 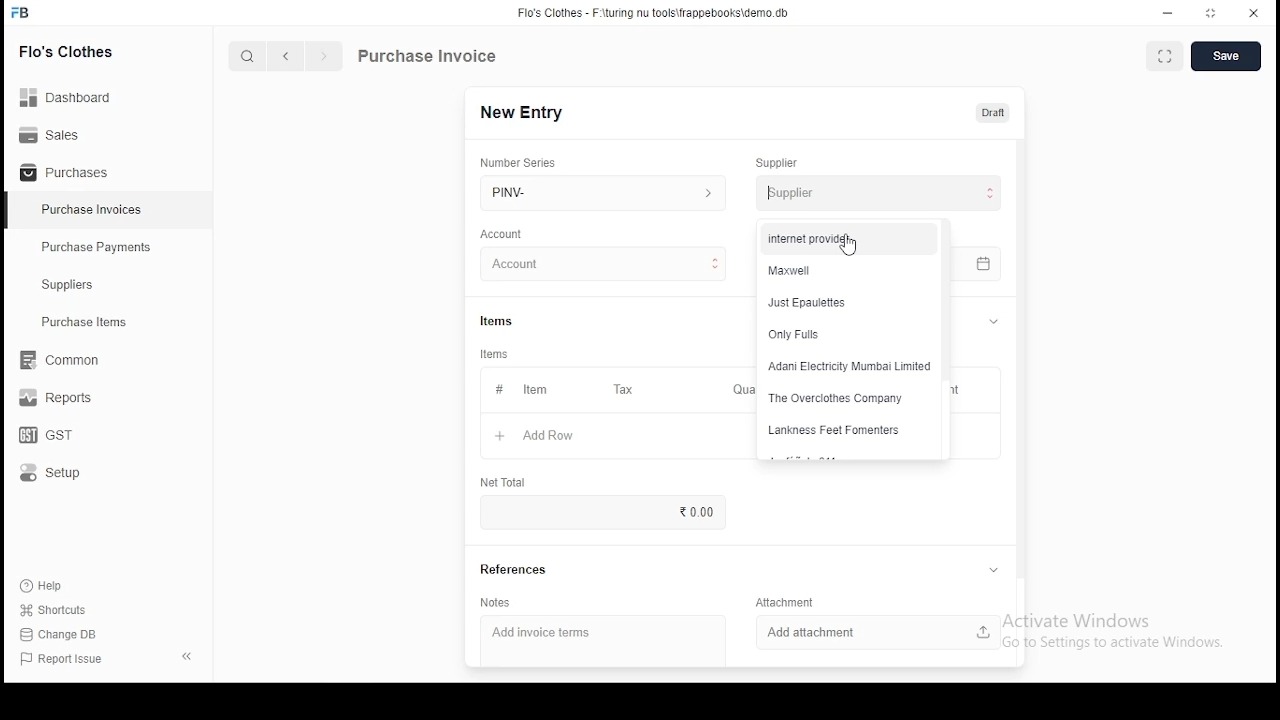 I want to click on number series, so click(x=519, y=162).